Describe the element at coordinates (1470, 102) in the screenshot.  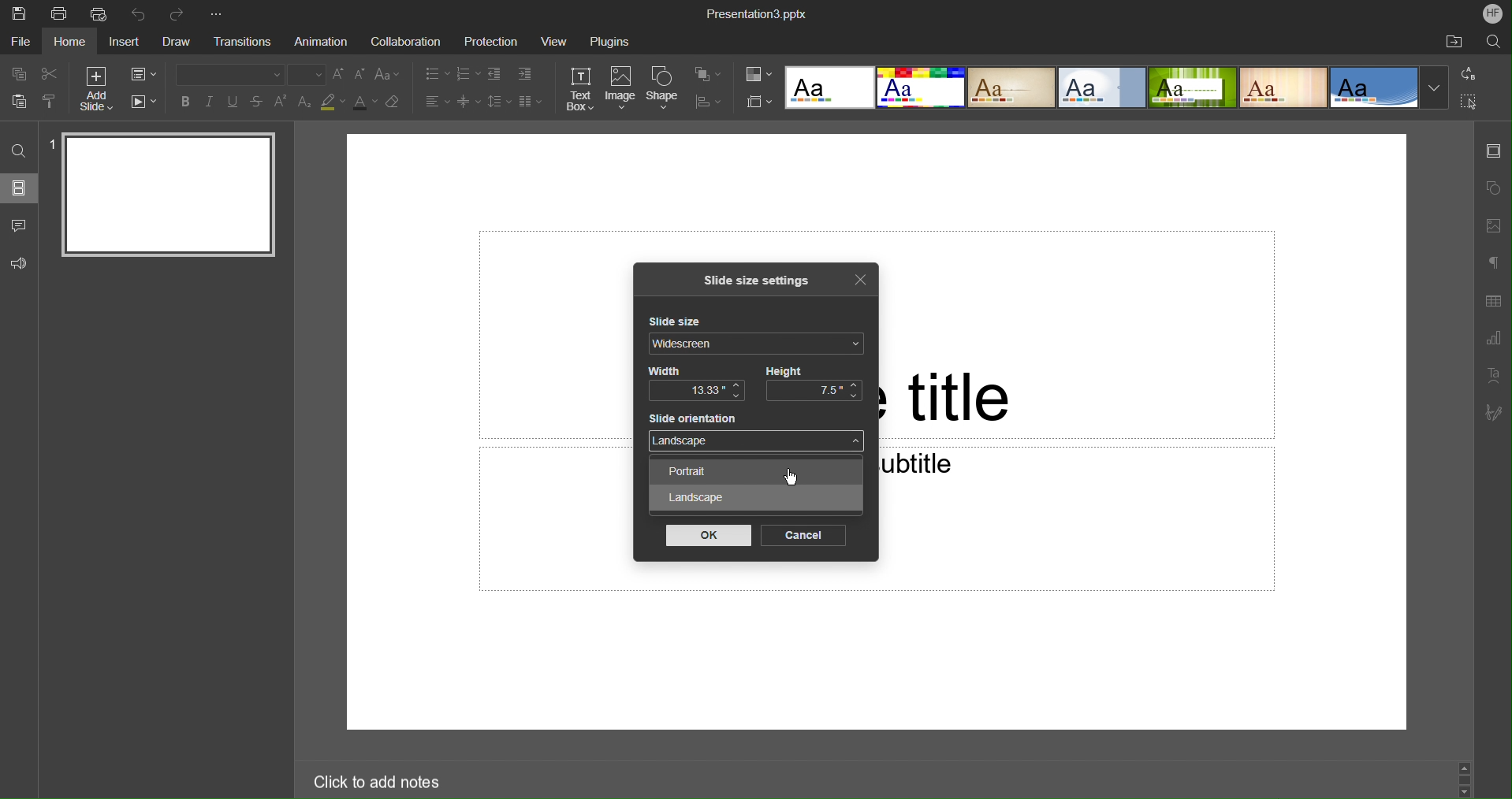
I see `Select All` at that location.